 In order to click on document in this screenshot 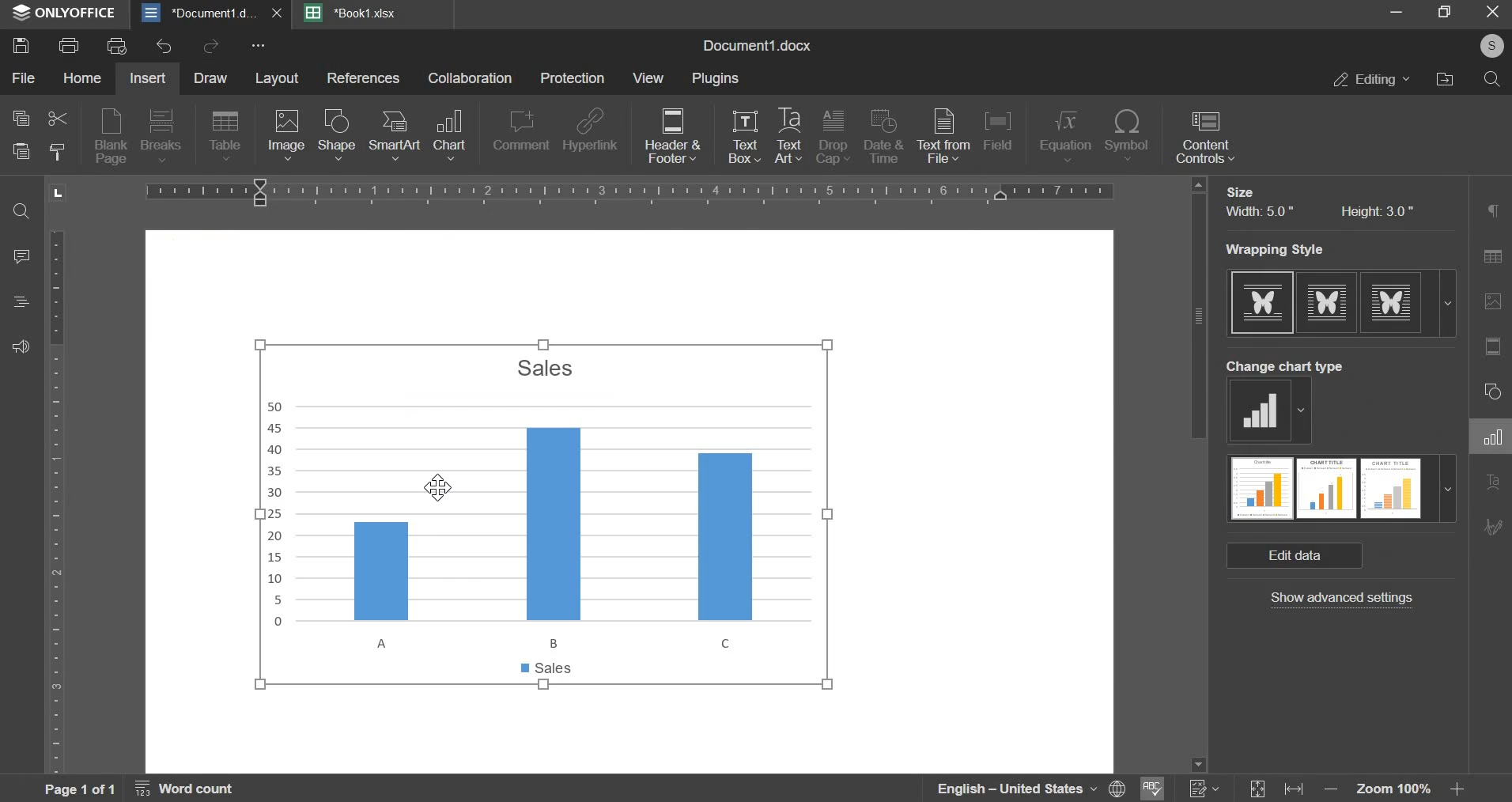, I will do `click(213, 12)`.